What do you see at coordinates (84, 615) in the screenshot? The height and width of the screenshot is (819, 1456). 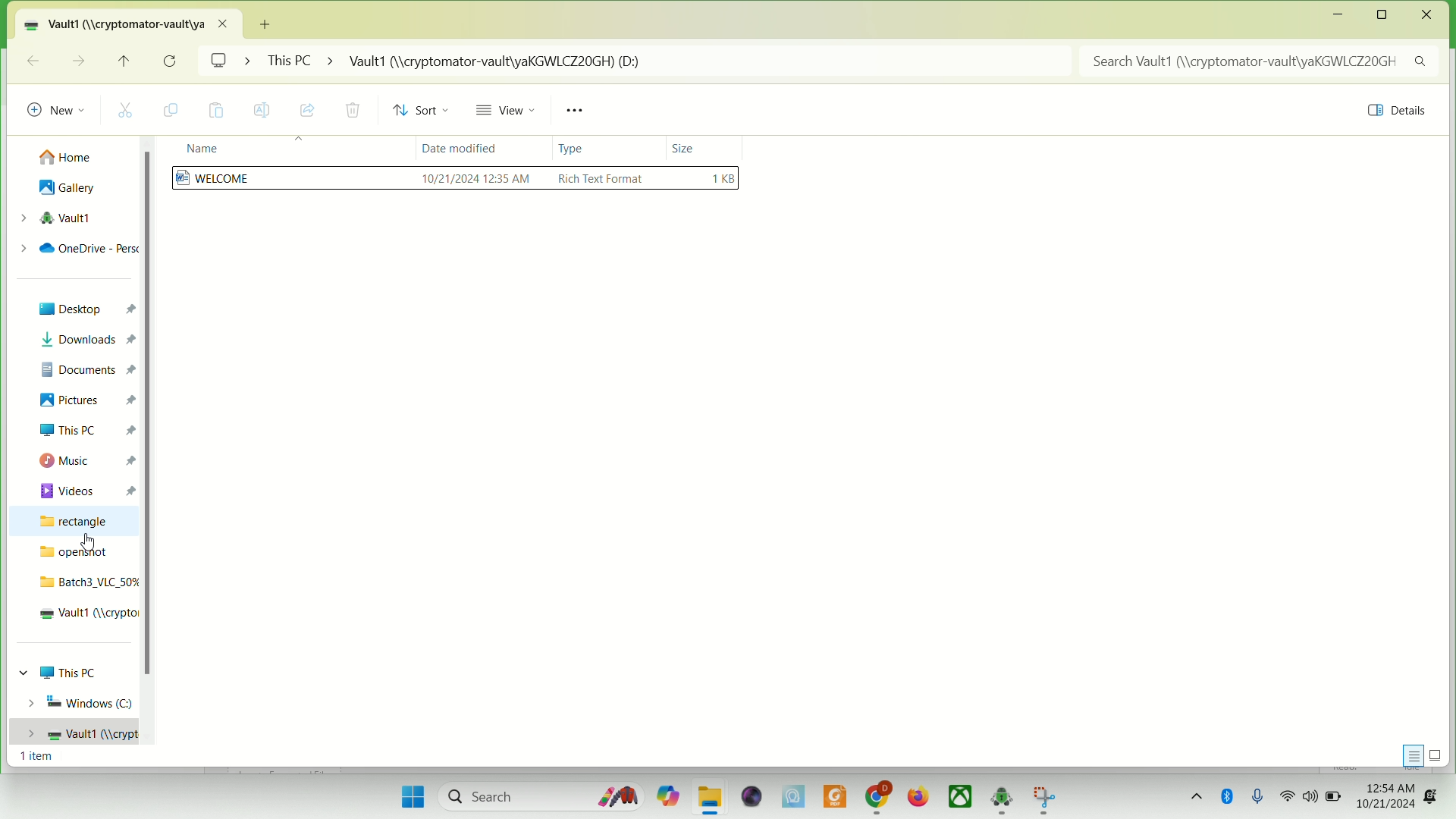 I see `vault1` at bounding box center [84, 615].